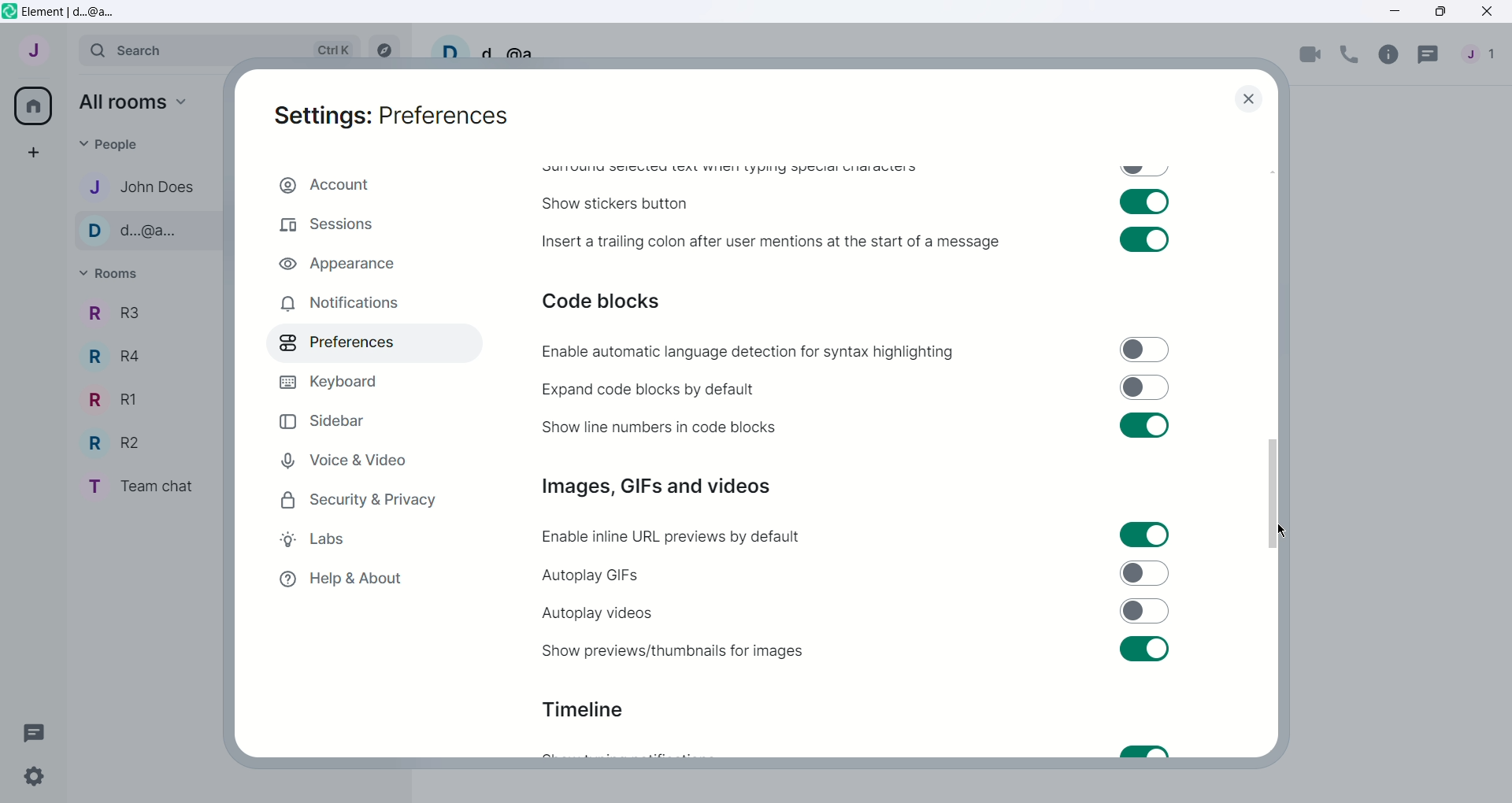 This screenshot has width=1512, height=803. I want to click on Account , so click(374, 186).